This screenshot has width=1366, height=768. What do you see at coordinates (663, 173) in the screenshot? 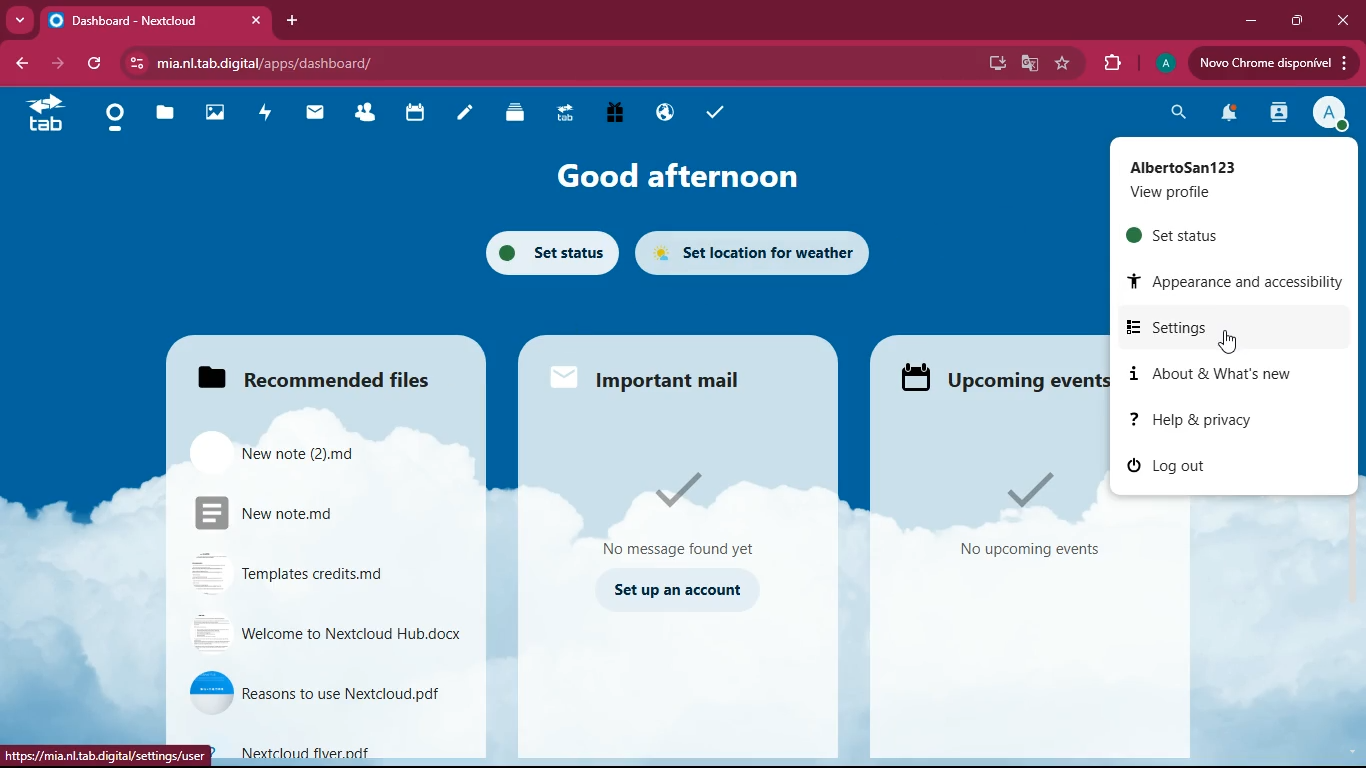
I see `good afternoon` at bounding box center [663, 173].